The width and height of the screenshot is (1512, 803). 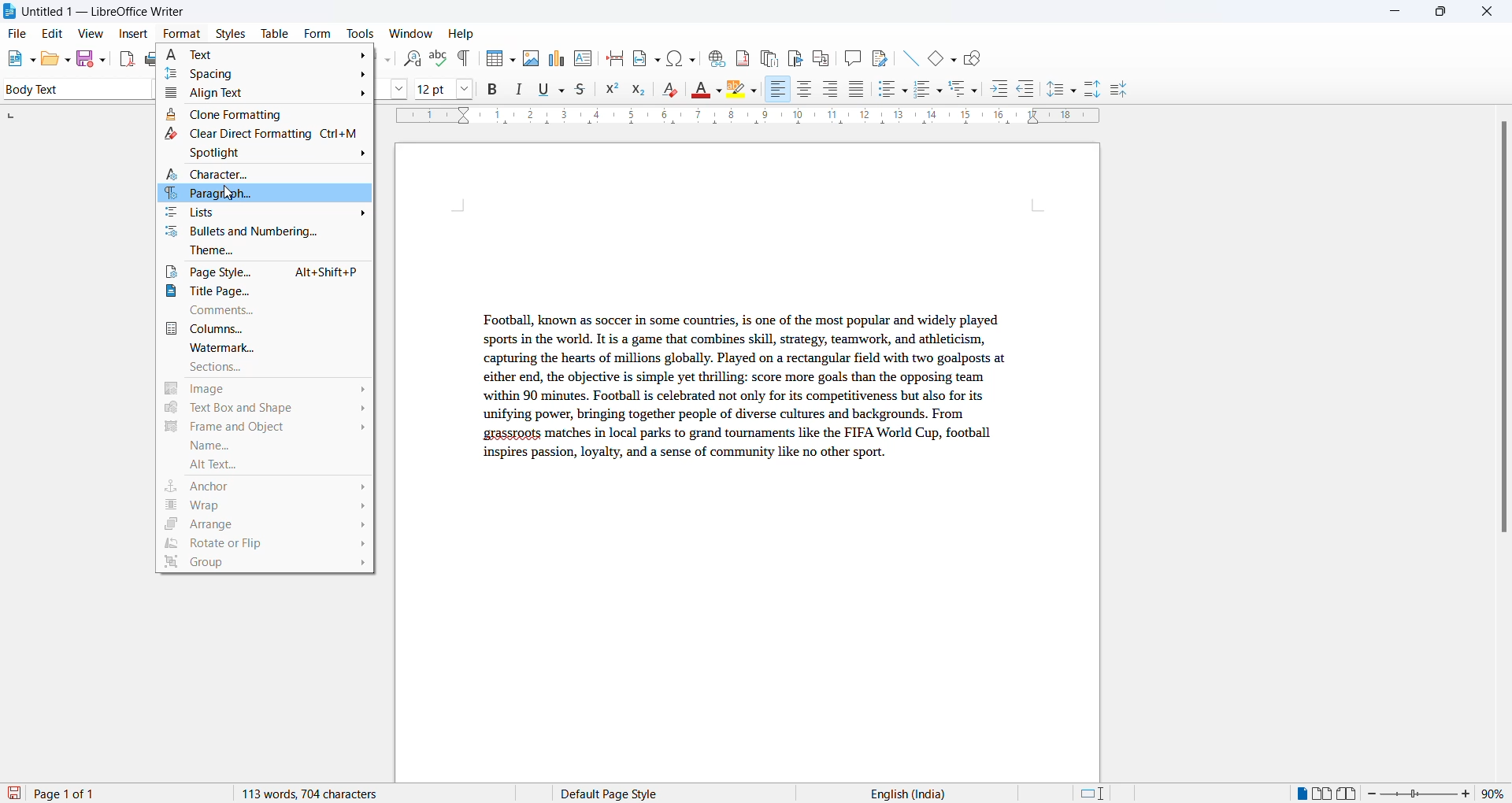 What do you see at coordinates (878, 57) in the screenshot?
I see `insert cross-reference` at bounding box center [878, 57].